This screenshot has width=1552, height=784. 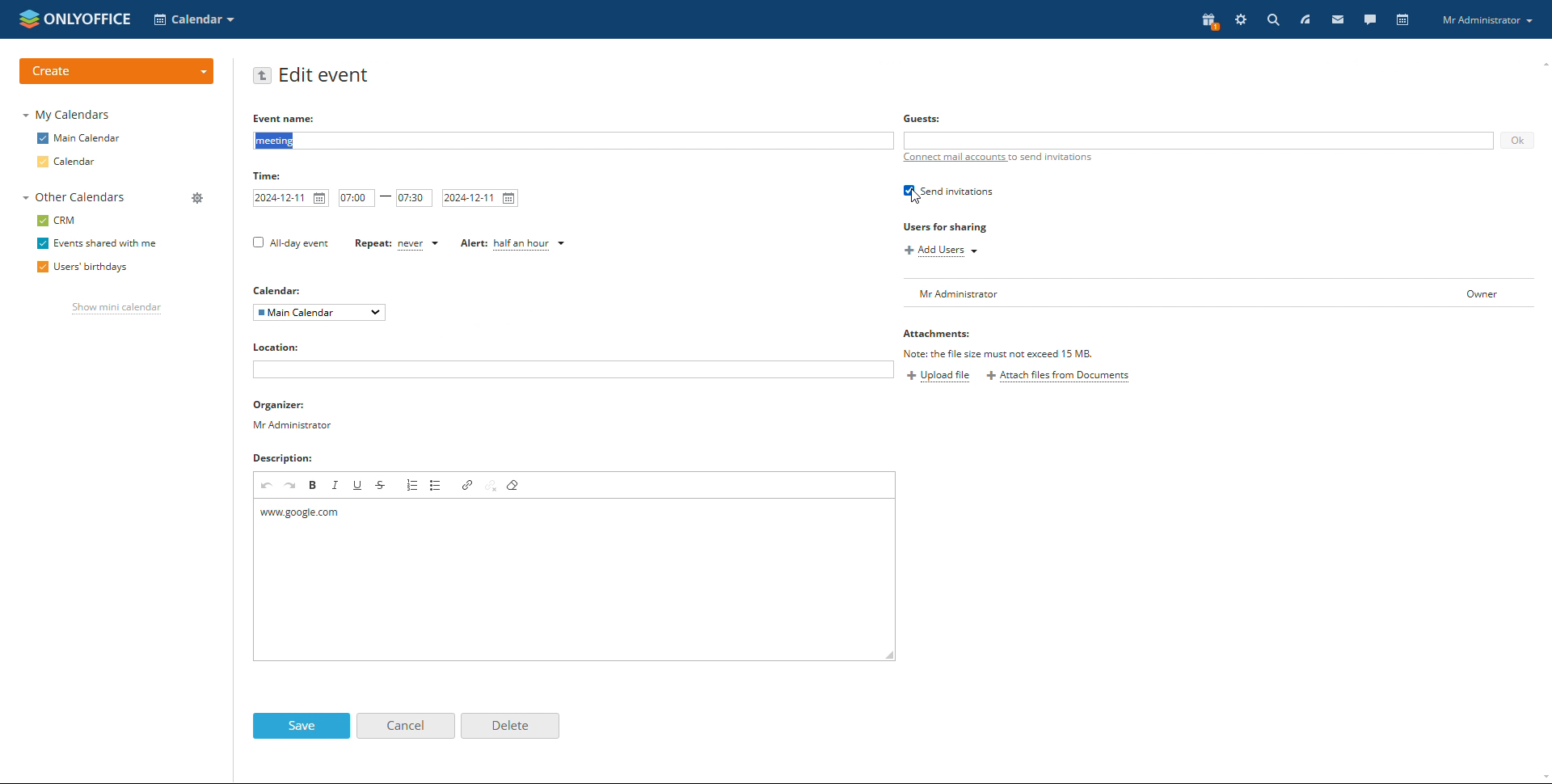 I want to click on end time, so click(x=414, y=199).